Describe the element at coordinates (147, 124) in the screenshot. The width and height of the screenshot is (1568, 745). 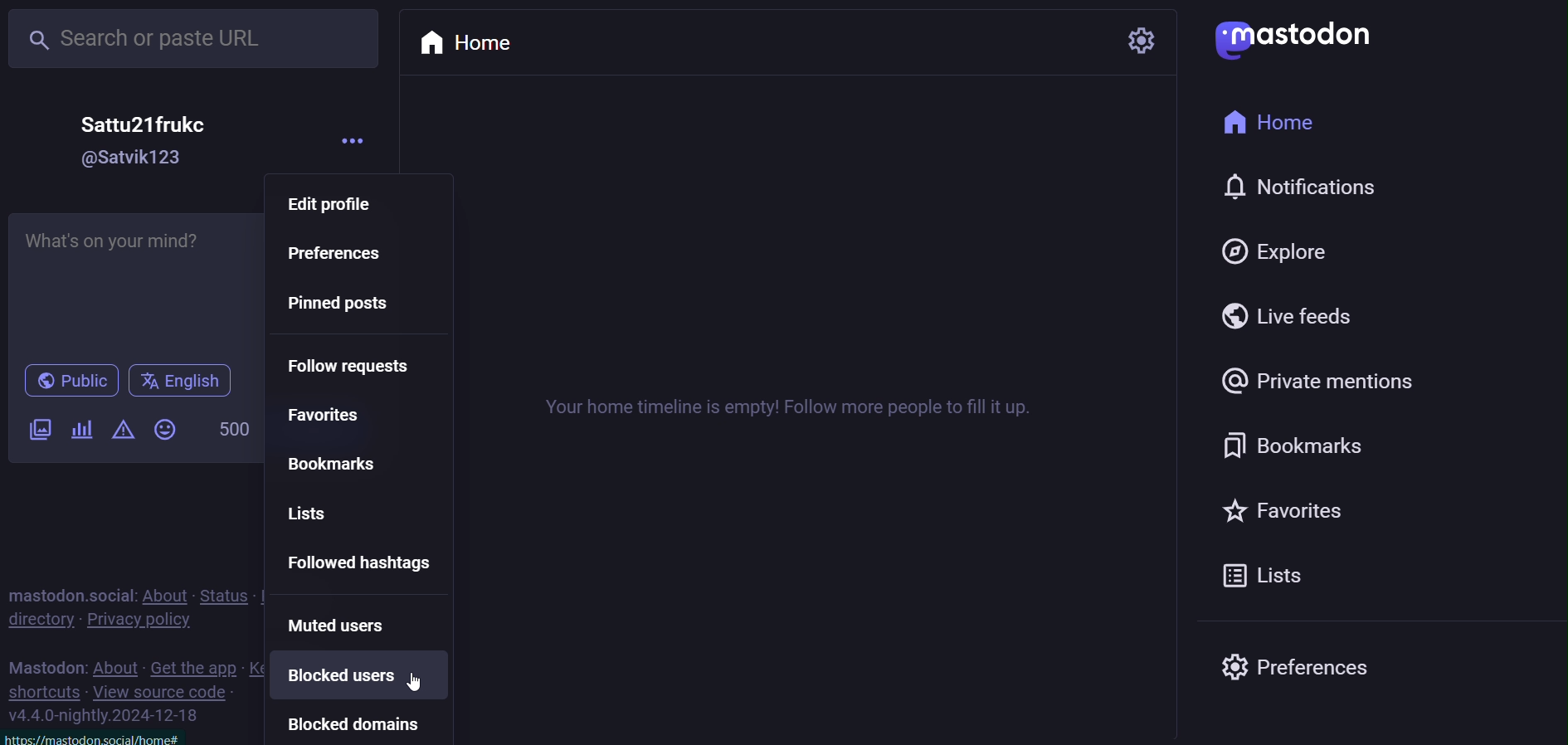
I see `Sattu21fruke` at that location.